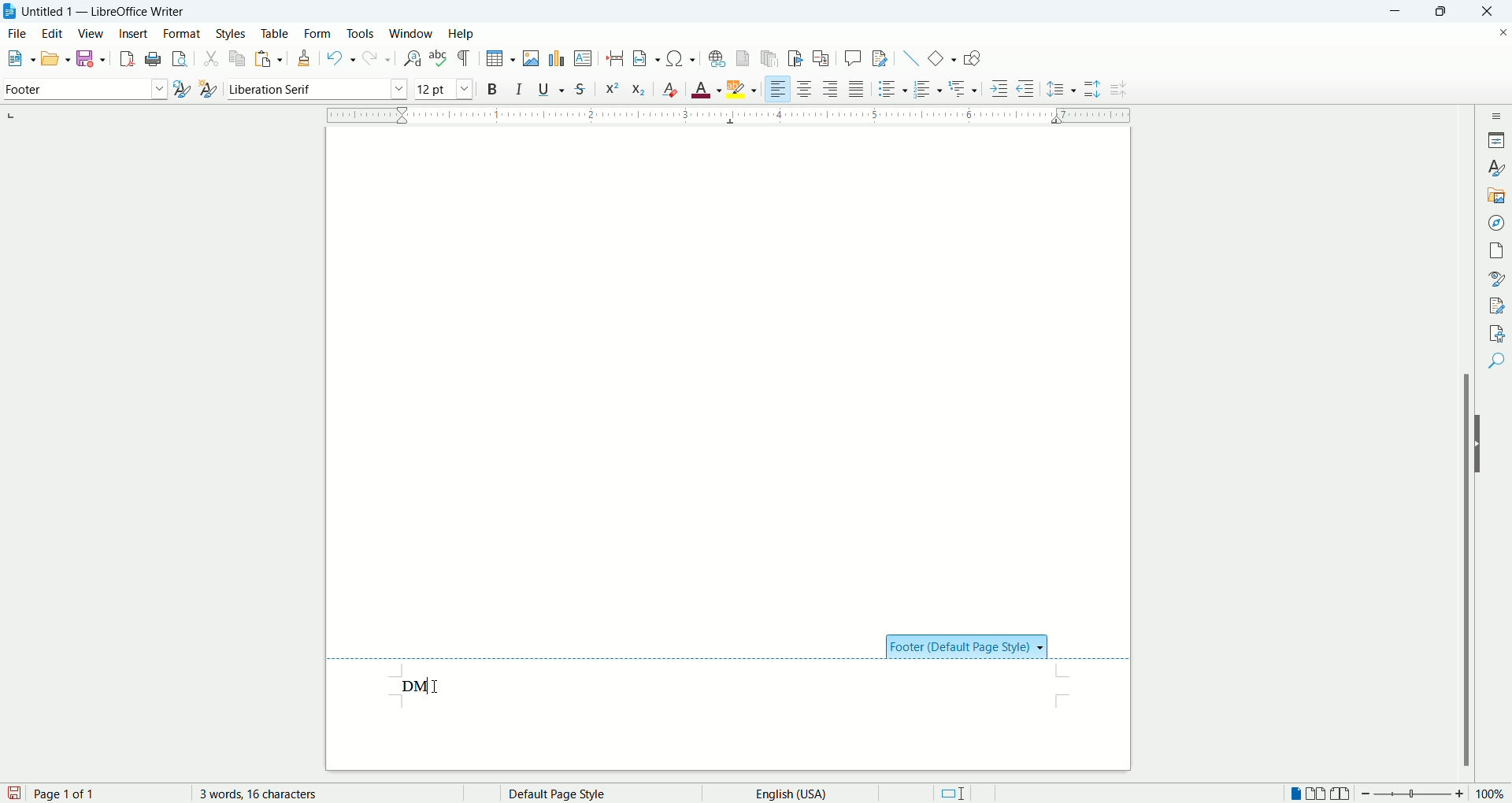 This screenshot has height=803, width=1512. I want to click on main page, so click(730, 372).